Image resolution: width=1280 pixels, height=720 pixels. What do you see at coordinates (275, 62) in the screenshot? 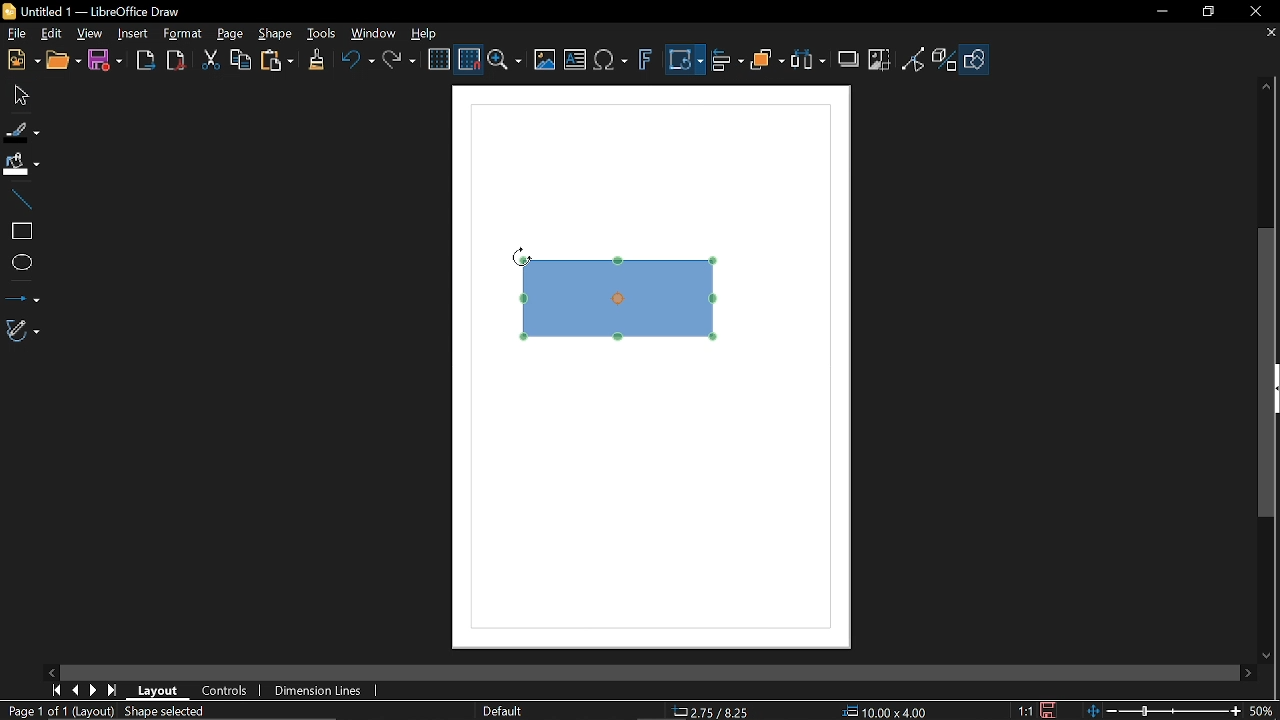
I see `Paste` at bounding box center [275, 62].